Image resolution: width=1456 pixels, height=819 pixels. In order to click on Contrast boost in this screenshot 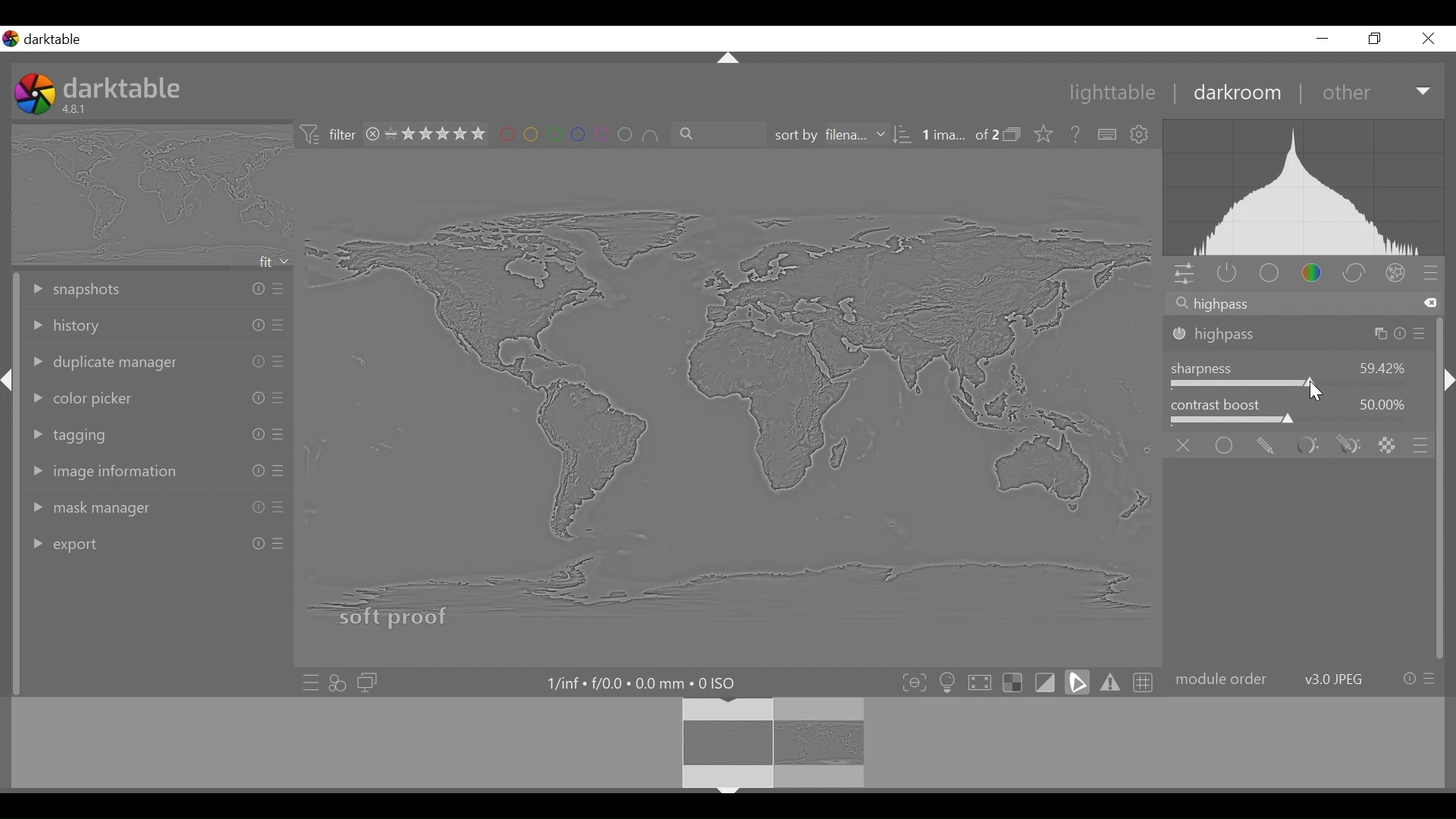, I will do `click(1216, 403)`.